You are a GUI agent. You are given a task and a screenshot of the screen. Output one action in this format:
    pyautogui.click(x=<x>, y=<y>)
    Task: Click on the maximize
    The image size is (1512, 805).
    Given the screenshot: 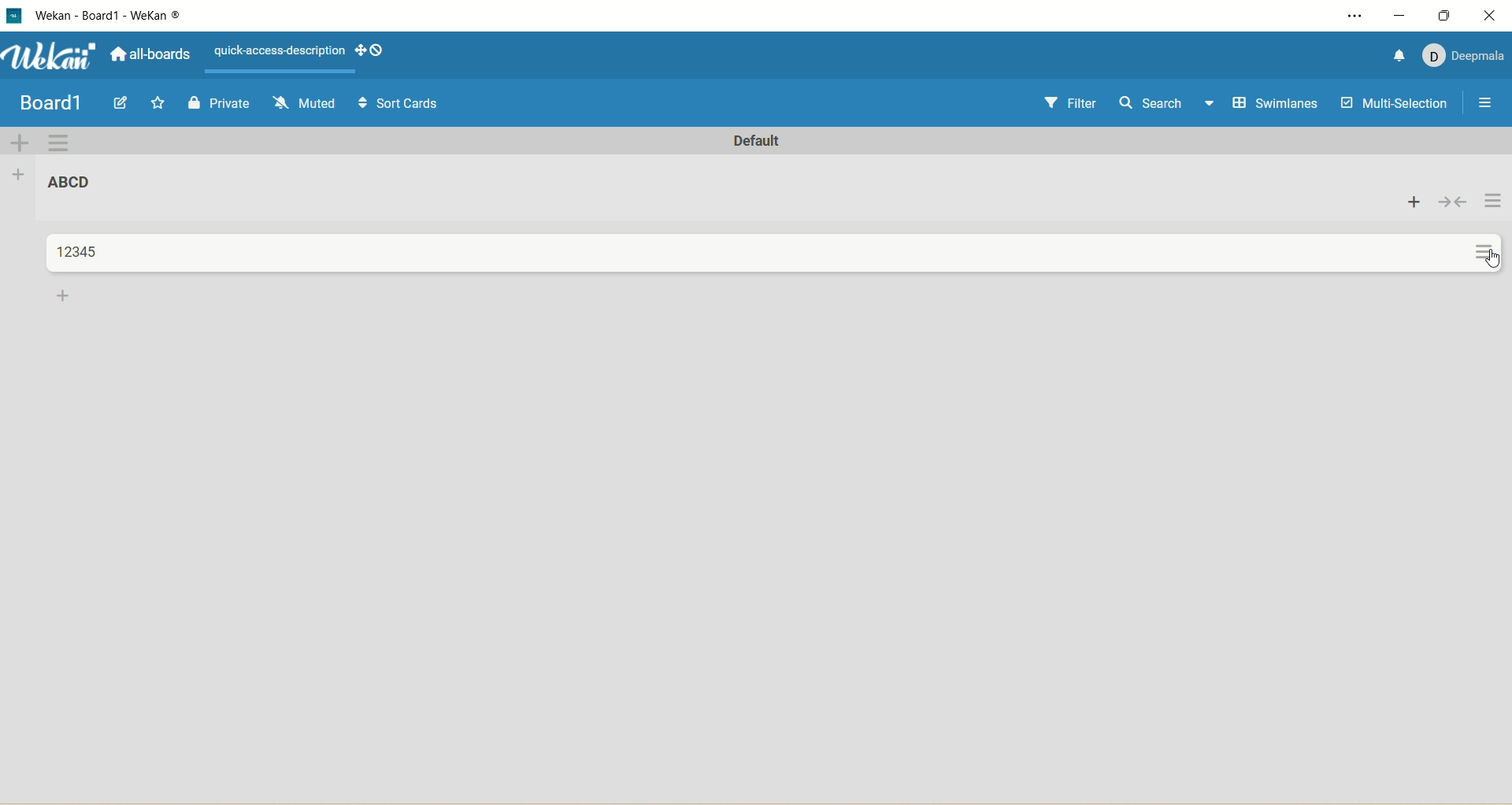 What is the action you would take?
    pyautogui.click(x=1447, y=15)
    